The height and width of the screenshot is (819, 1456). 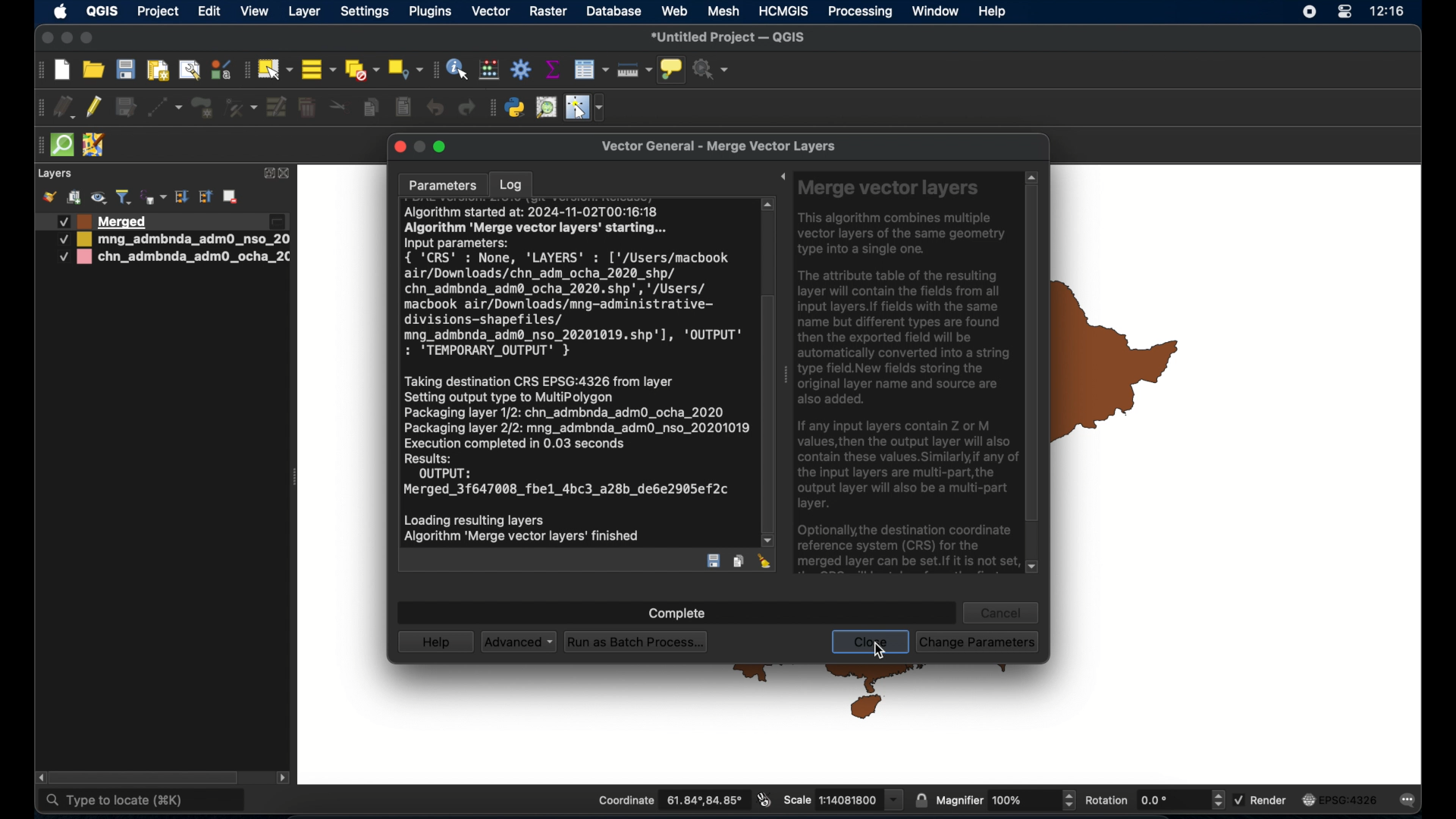 What do you see at coordinates (38, 71) in the screenshot?
I see `project toolbar` at bounding box center [38, 71].